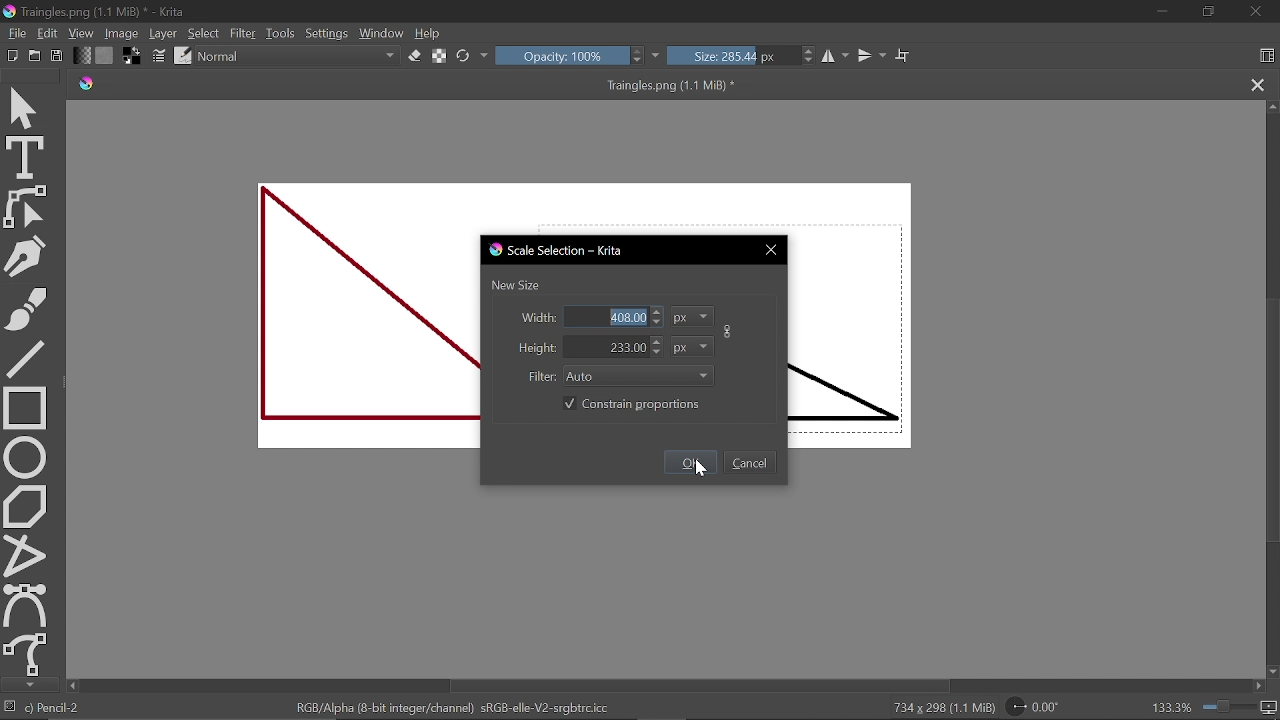  What do you see at coordinates (661, 686) in the screenshot?
I see `Scroll bar` at bounding box center [661, 686].